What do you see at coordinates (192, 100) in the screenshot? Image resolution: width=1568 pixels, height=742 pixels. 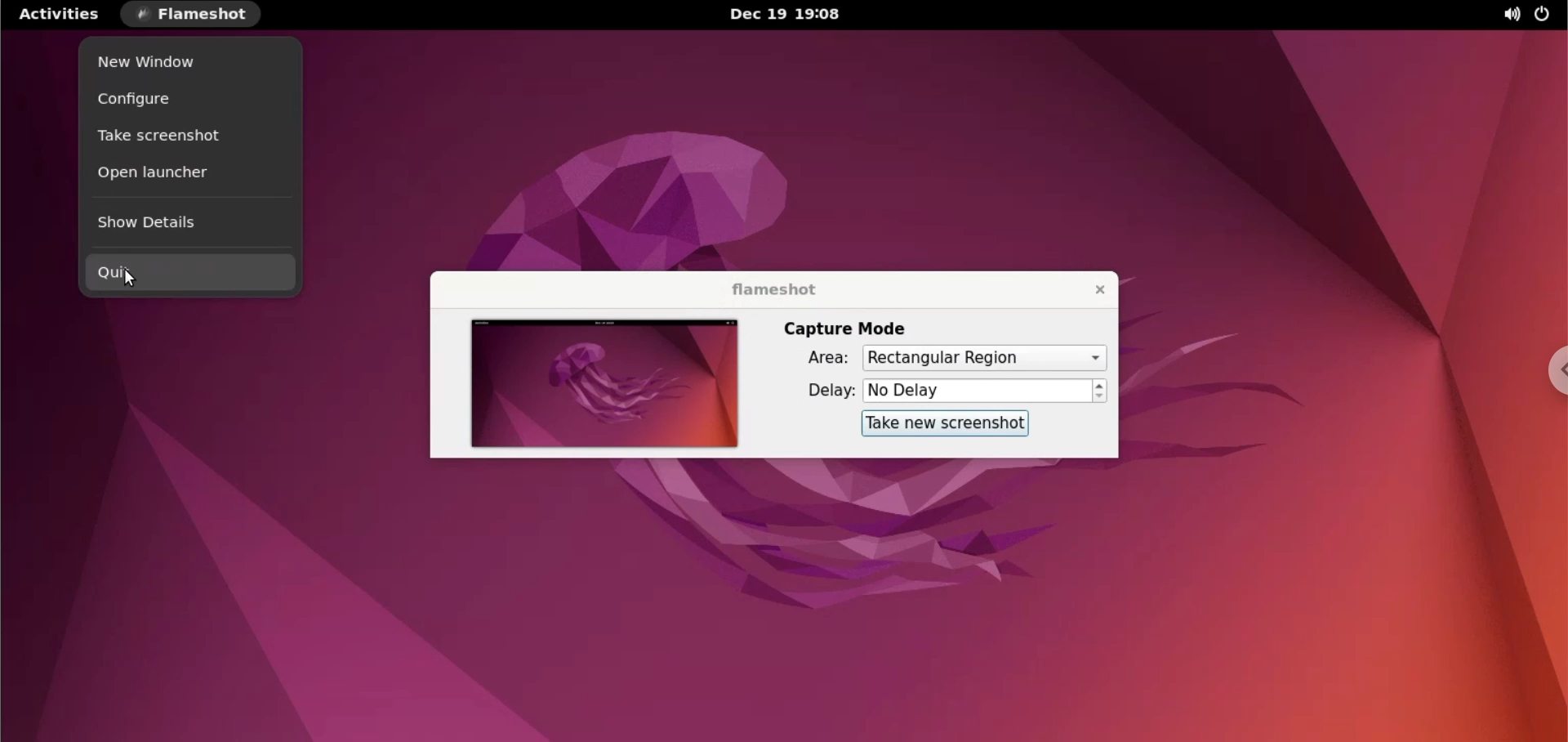 I see `configure` at bounding box center [192, 100].